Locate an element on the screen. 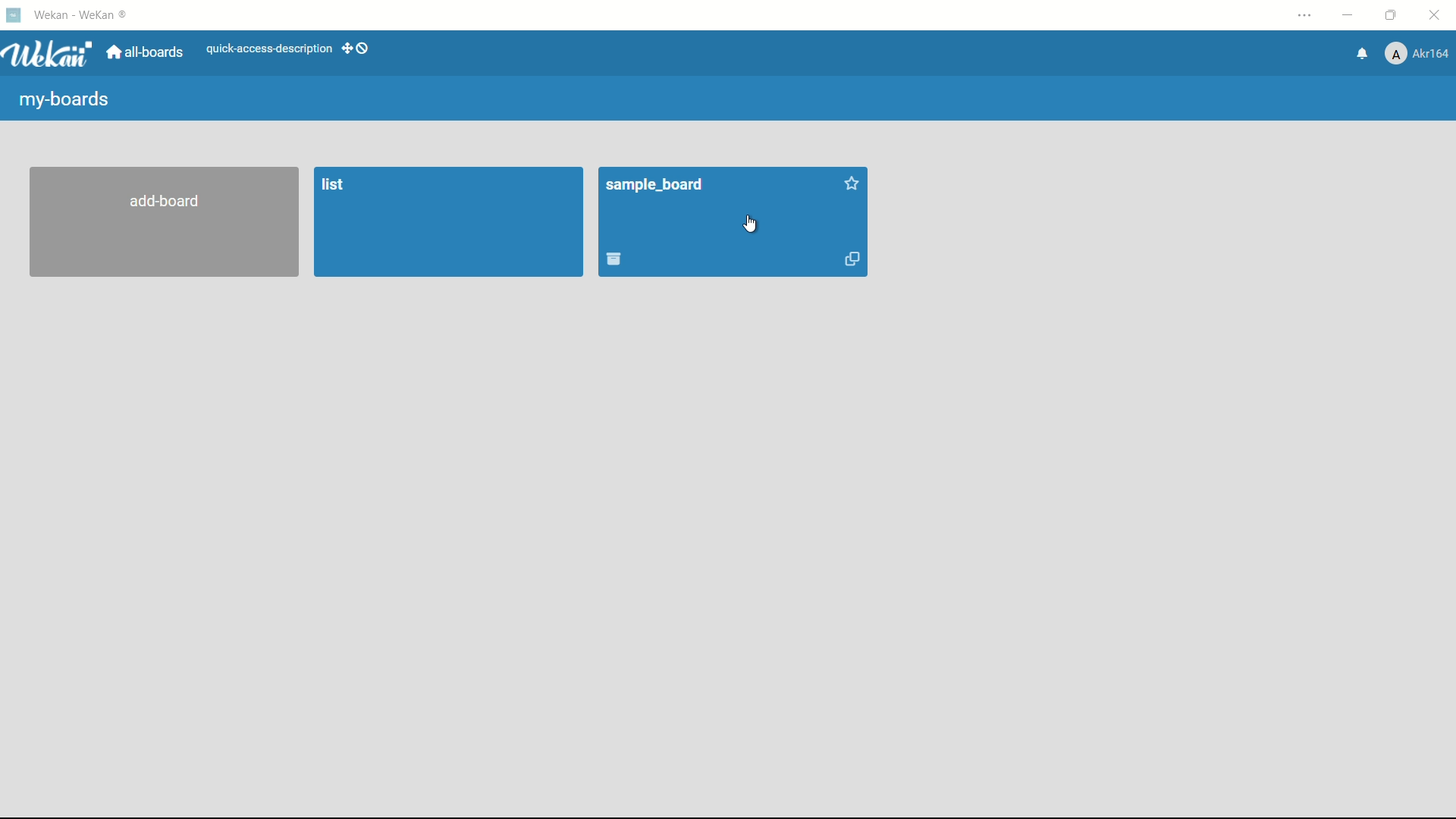 Image resolution: width=1456 pixels, height=819 pixels. notifications is located at coordinates (1357, 54).